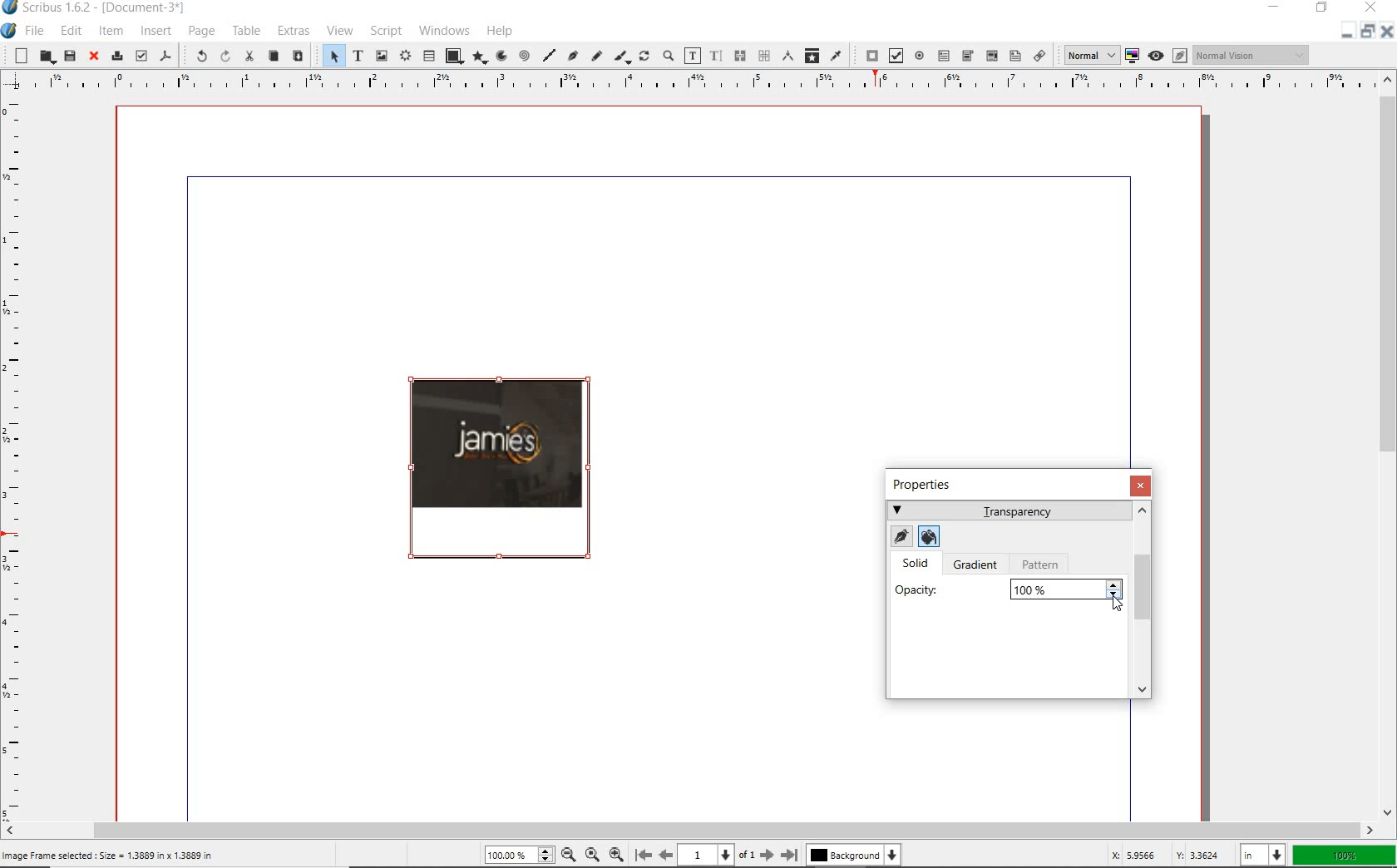 Image resolution: width=1397 pixels, height=868 pixels. Describe the element at coordinates (928, 535) in the screenshot. I see `EDIT FILL COLOR PROPERTIES` at that location.